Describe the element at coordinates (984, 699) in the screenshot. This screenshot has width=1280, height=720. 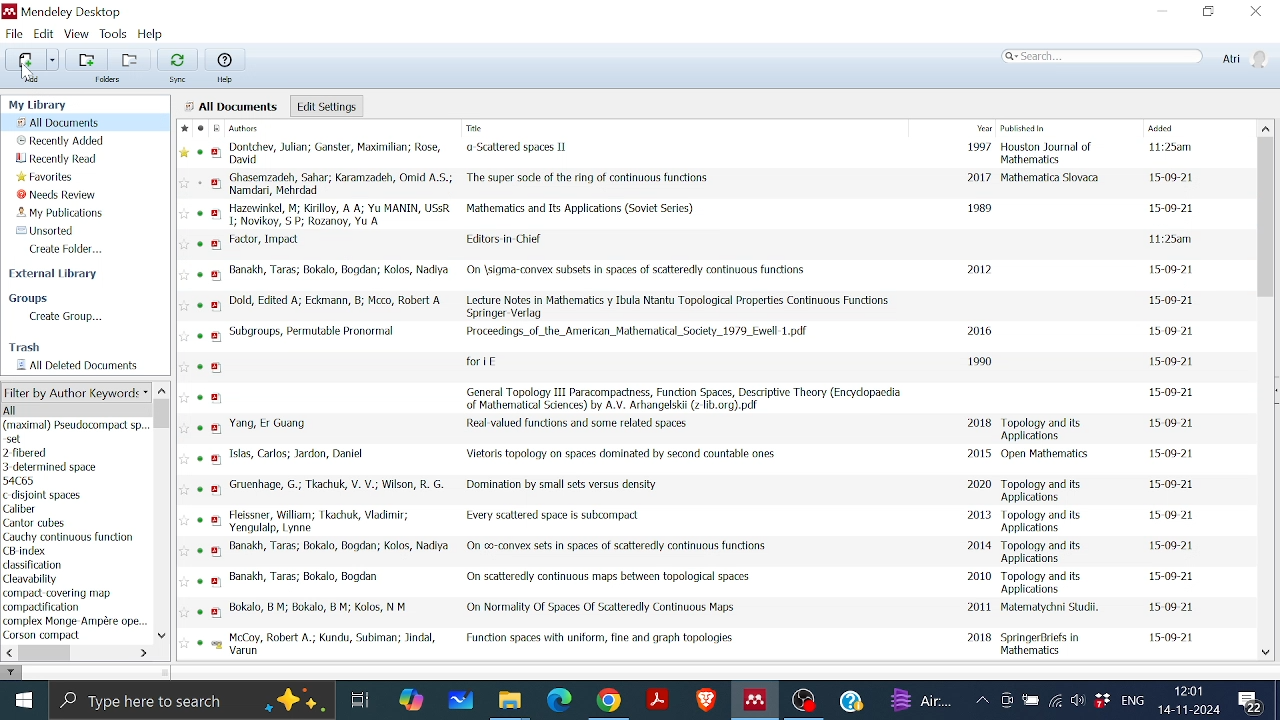
I see `Show hidden Icons` at that location.